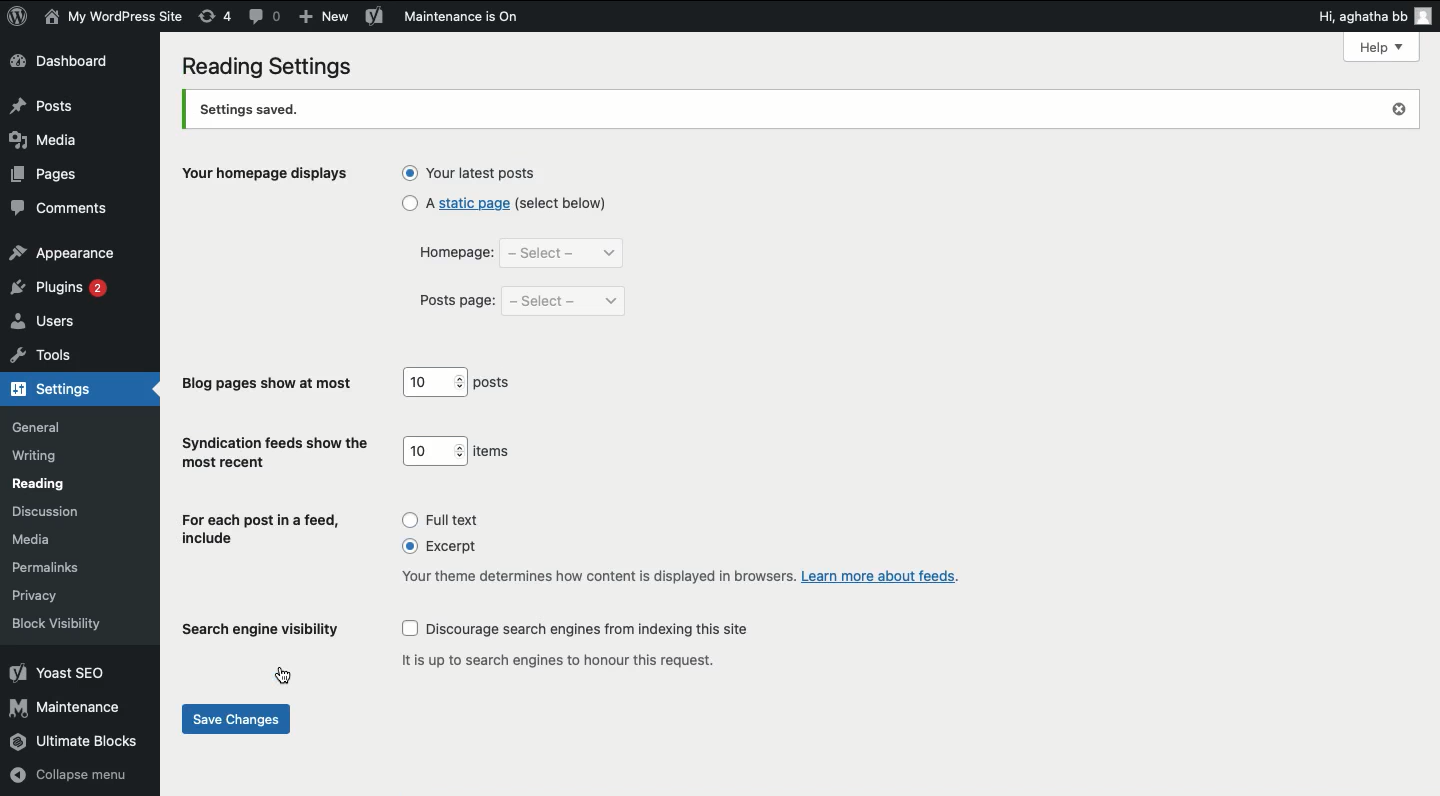 The height and width of the screenshot is (796, 1440). Describe the element at coordinates (45, 176) in the screenshot. I see `pages` at that location.